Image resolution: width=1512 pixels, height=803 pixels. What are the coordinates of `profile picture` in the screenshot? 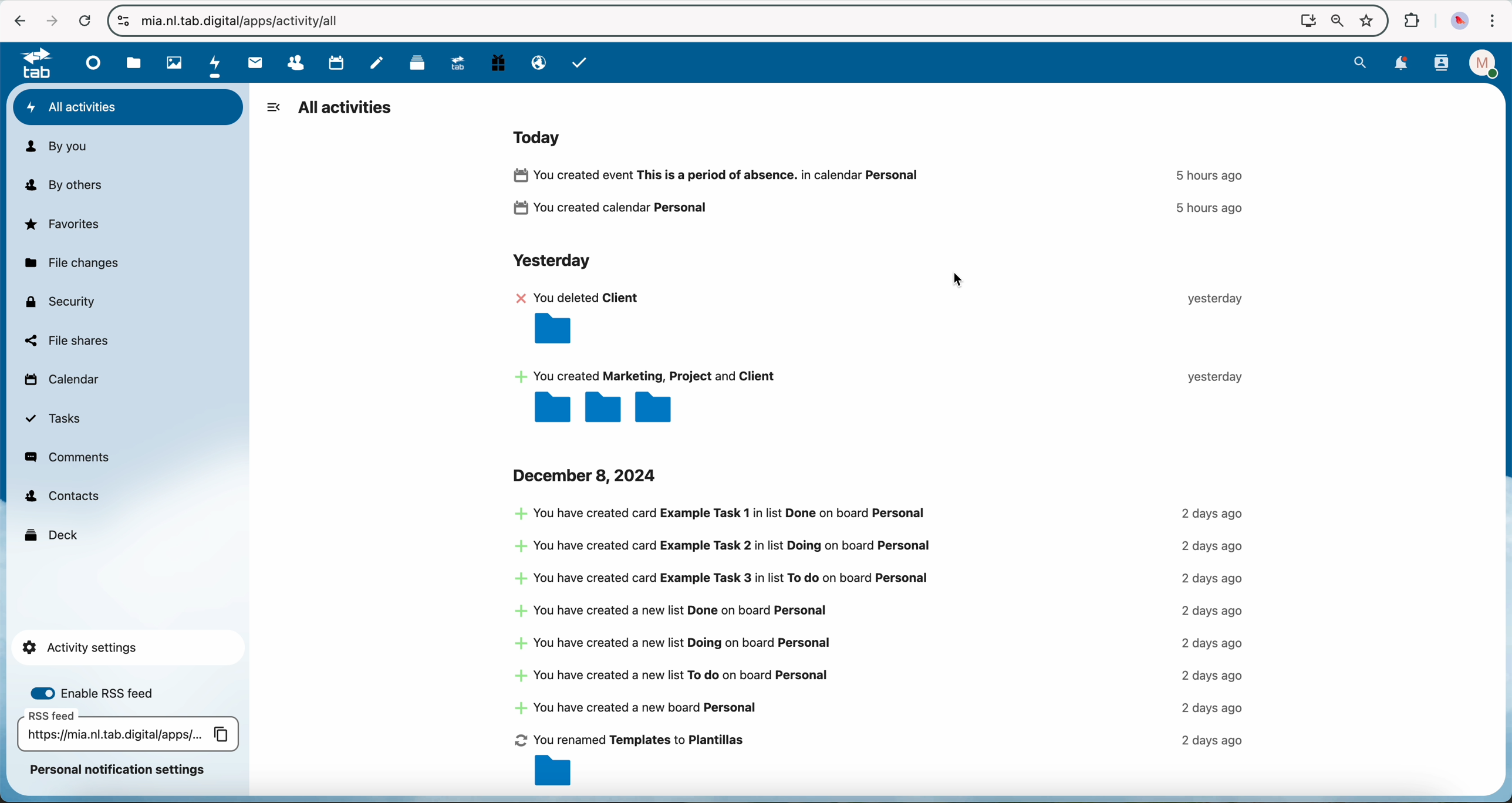 It's located at (1461, 22).